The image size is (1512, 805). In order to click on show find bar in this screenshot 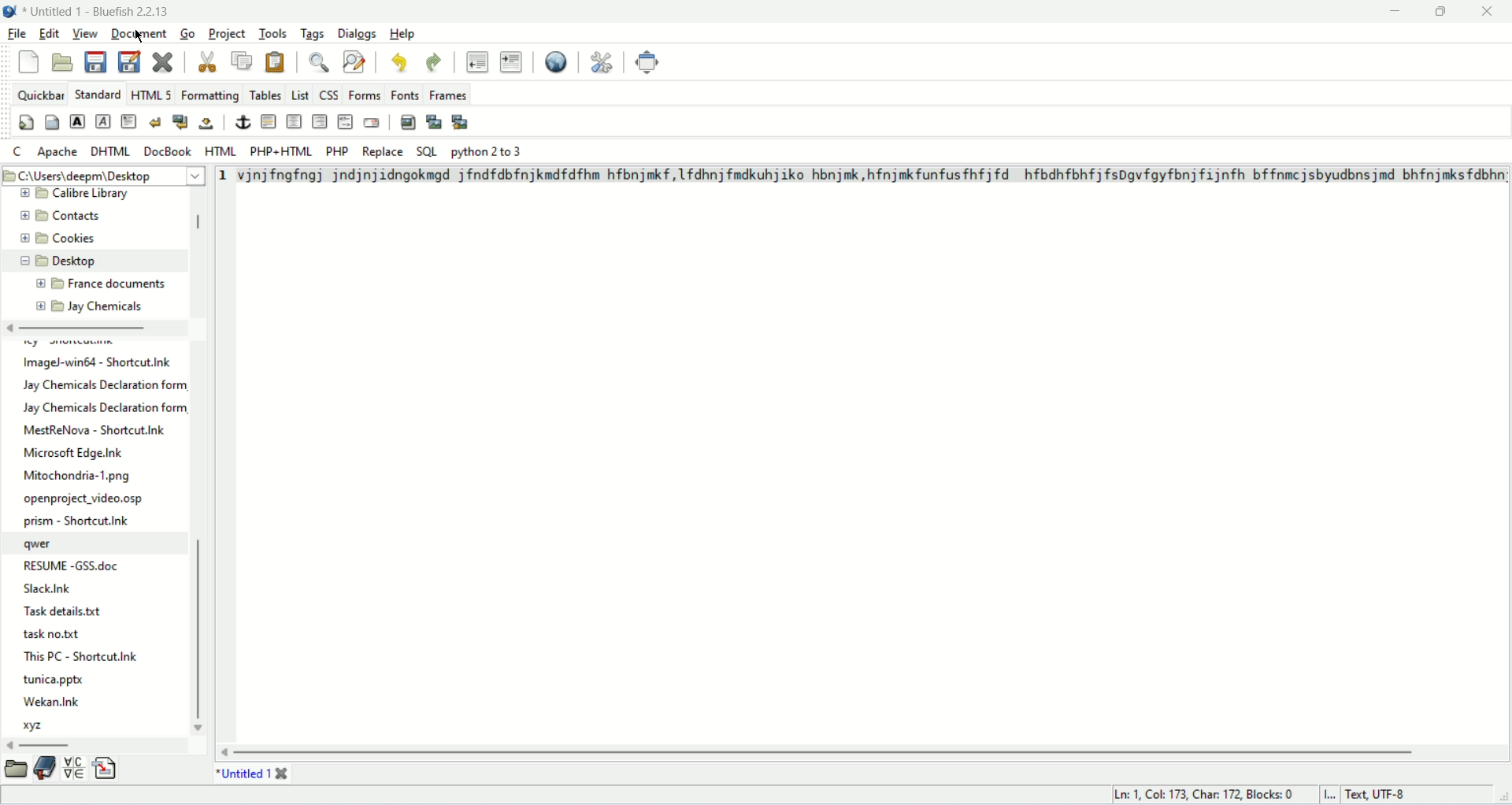, I will do `click(320, 62)`.